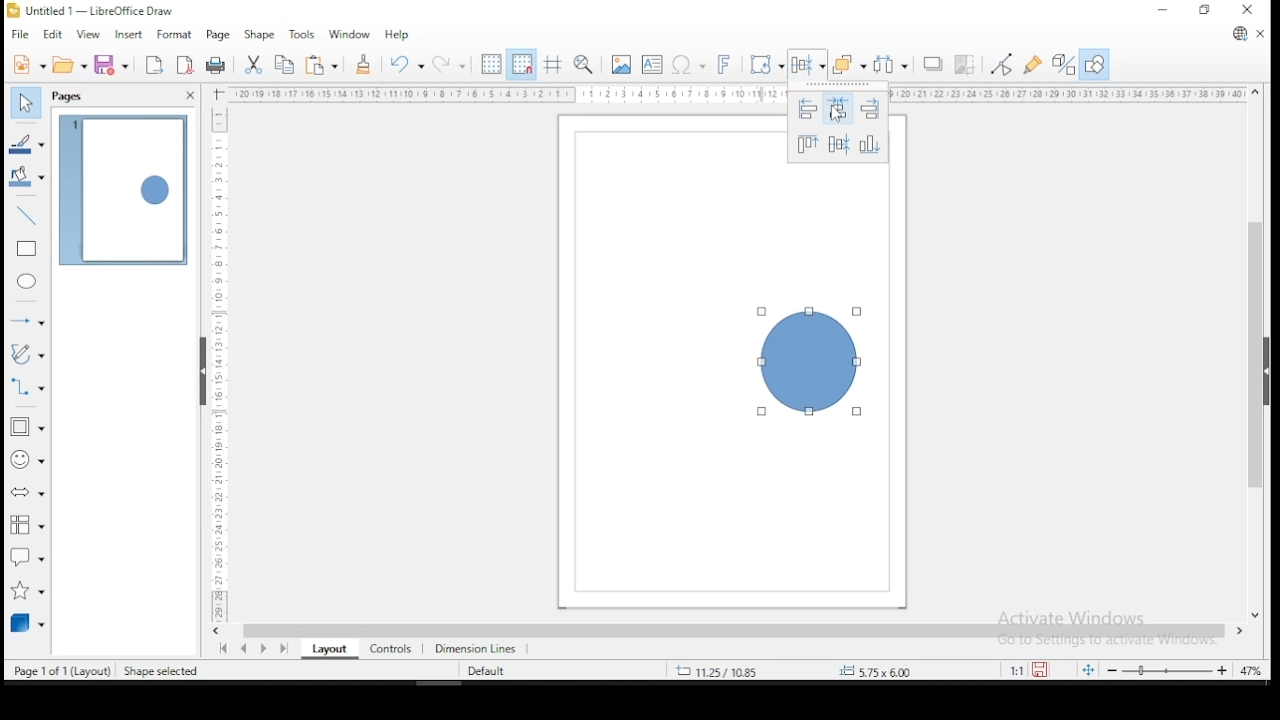 This screenshot has height=720, width=1280. Describe the element at coordinates (892, 64) in the screenshot. I see `select at leat three items to distribute` at that location.